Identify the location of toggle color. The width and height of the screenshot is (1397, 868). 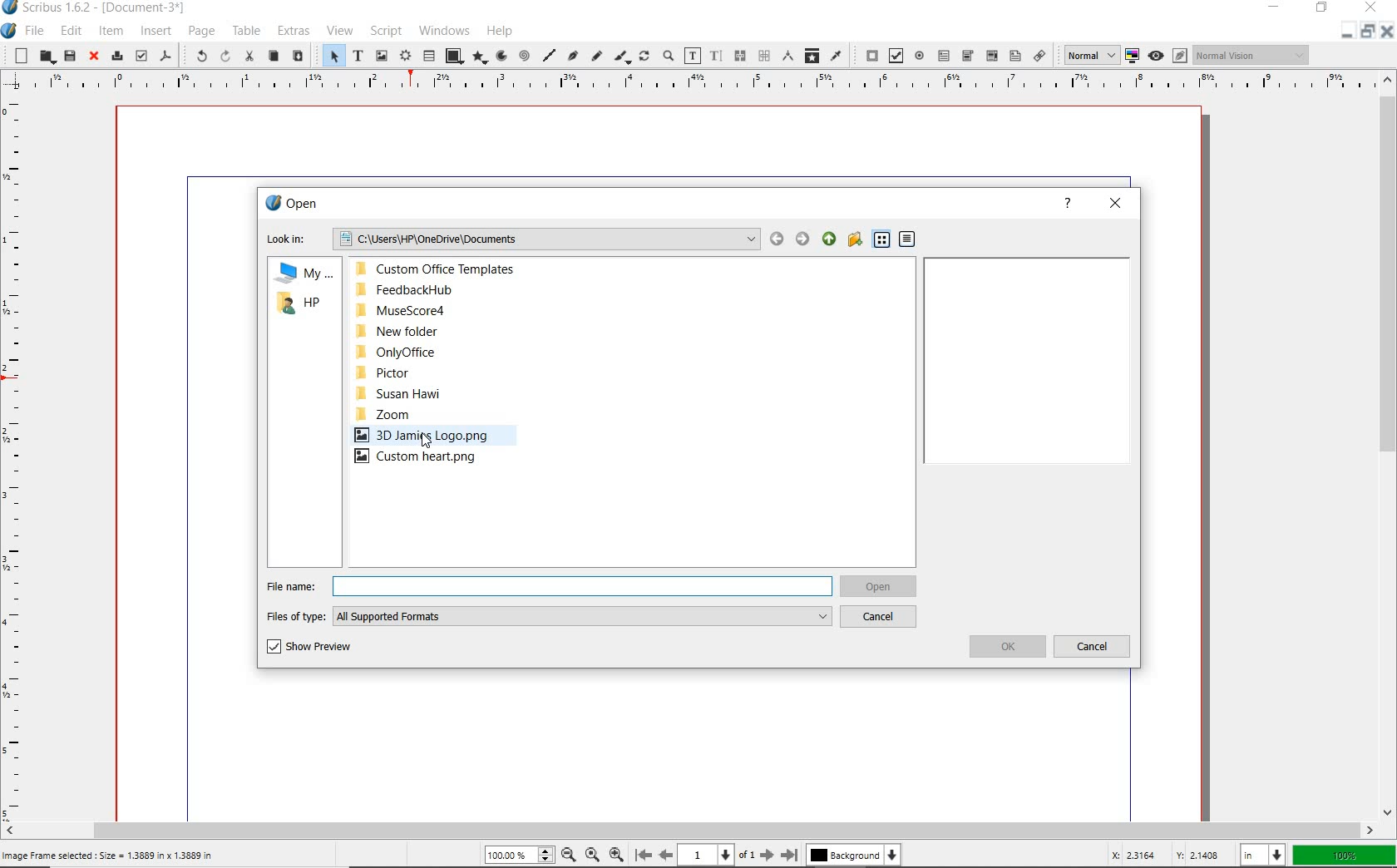
(1132, 54).